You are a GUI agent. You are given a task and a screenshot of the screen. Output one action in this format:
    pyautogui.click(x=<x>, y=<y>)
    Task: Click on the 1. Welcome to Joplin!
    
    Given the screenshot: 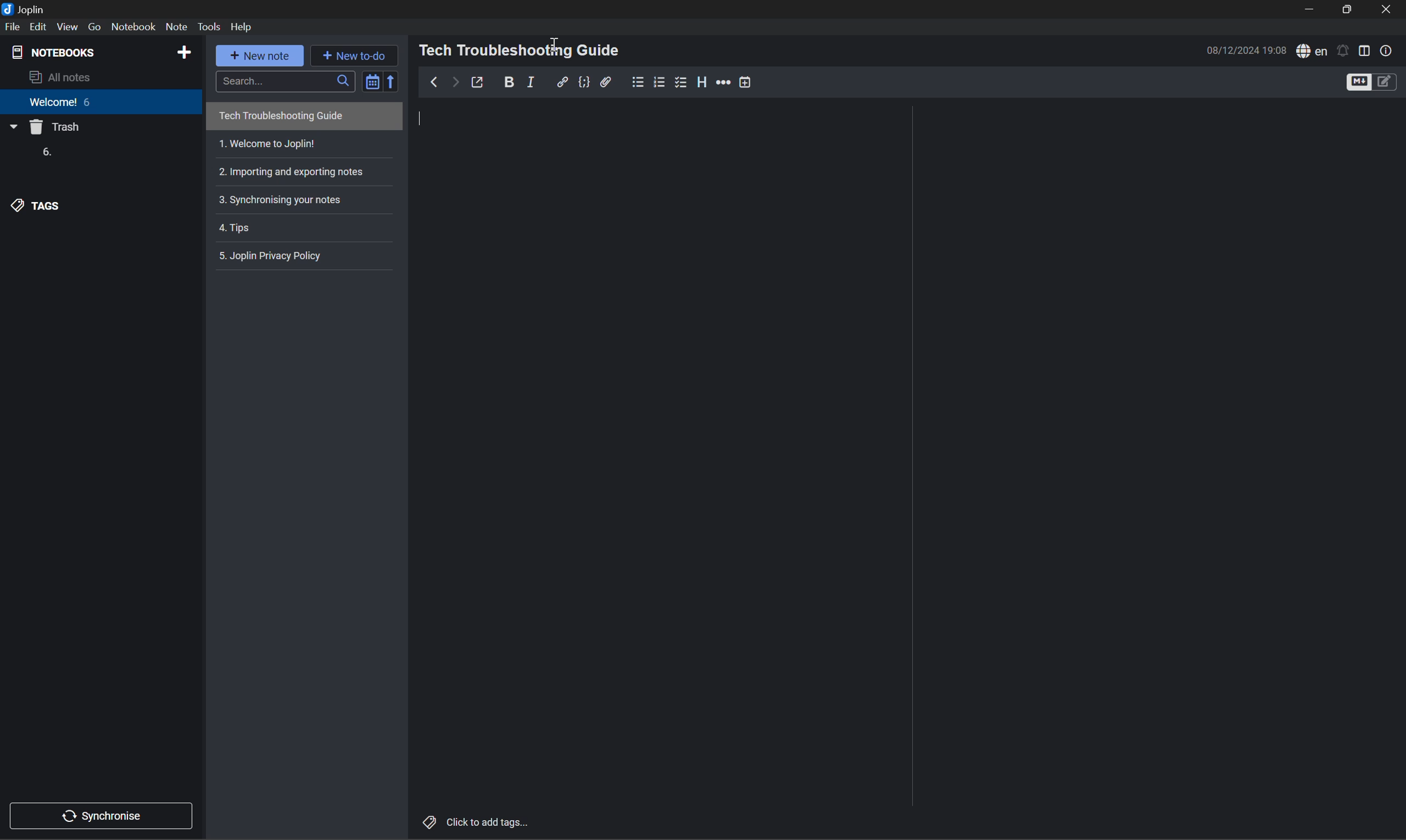 What is the action you would take?
    pyautogui.click(x=267, y=144)
    